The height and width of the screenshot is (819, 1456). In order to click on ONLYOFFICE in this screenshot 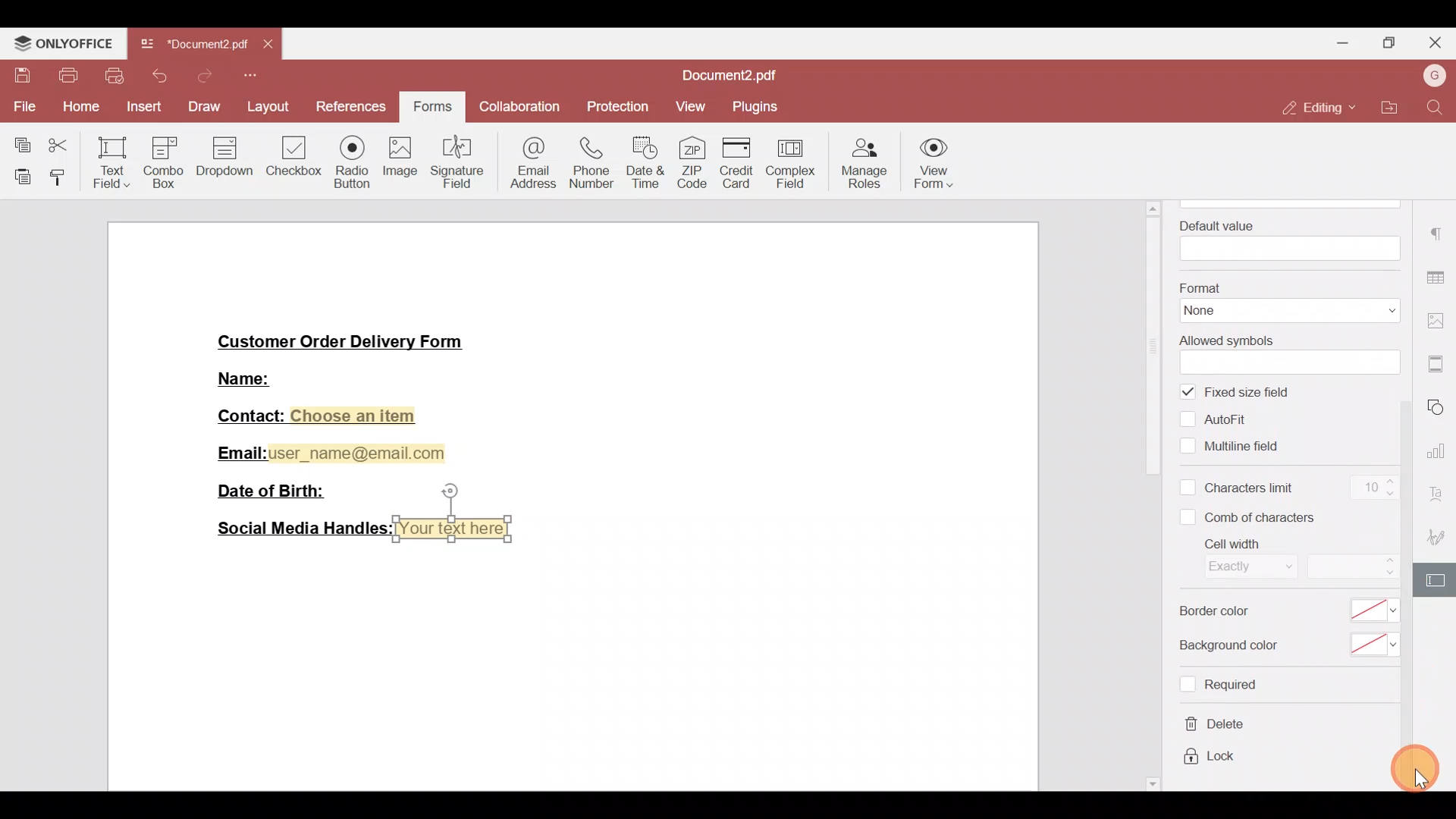, I will do `click(64, 42)`.